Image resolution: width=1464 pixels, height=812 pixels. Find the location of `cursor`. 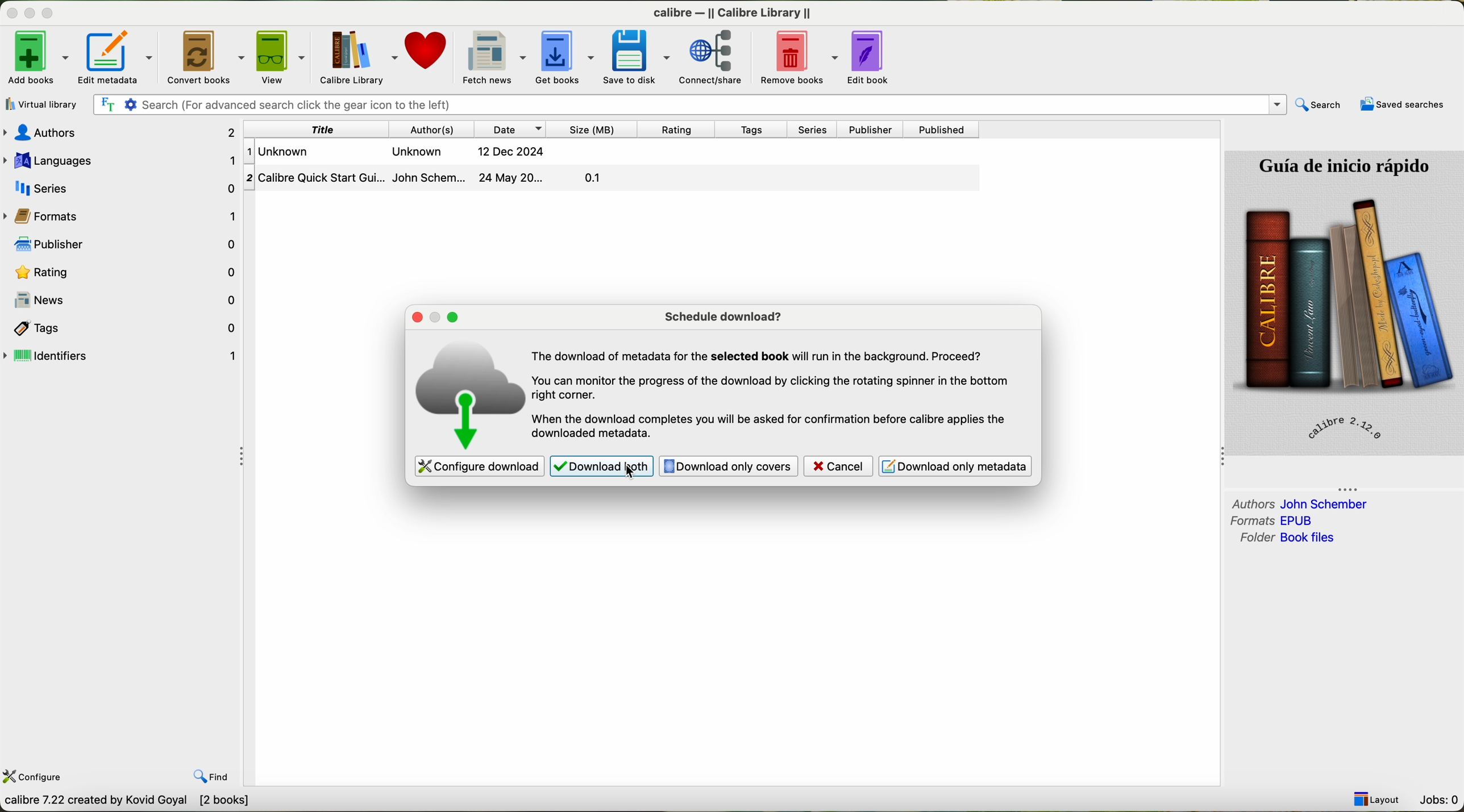

cursor is located at coordinates (621, 468).